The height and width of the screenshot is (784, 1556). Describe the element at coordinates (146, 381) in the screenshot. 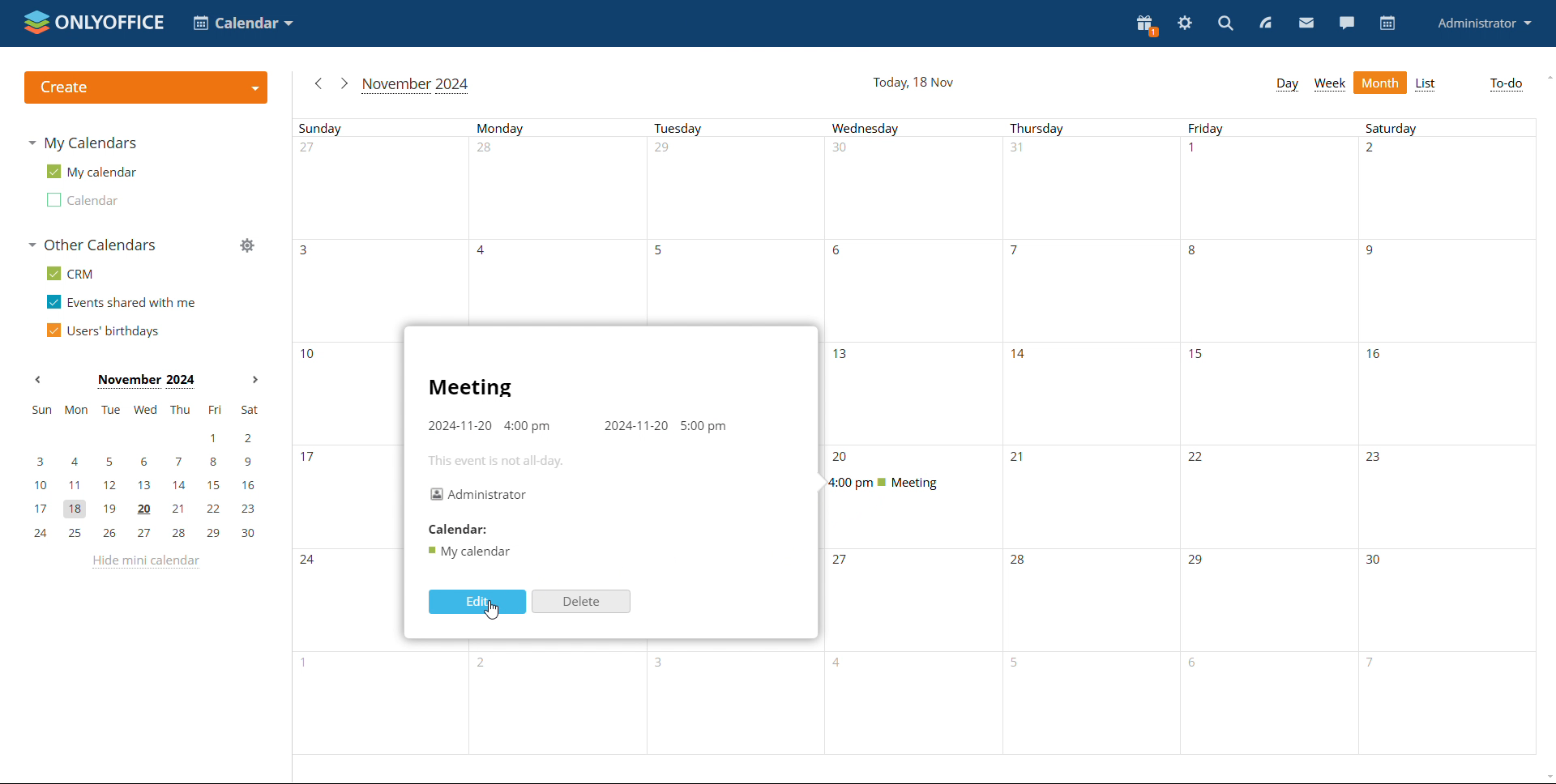

I see `month on display` at that location.